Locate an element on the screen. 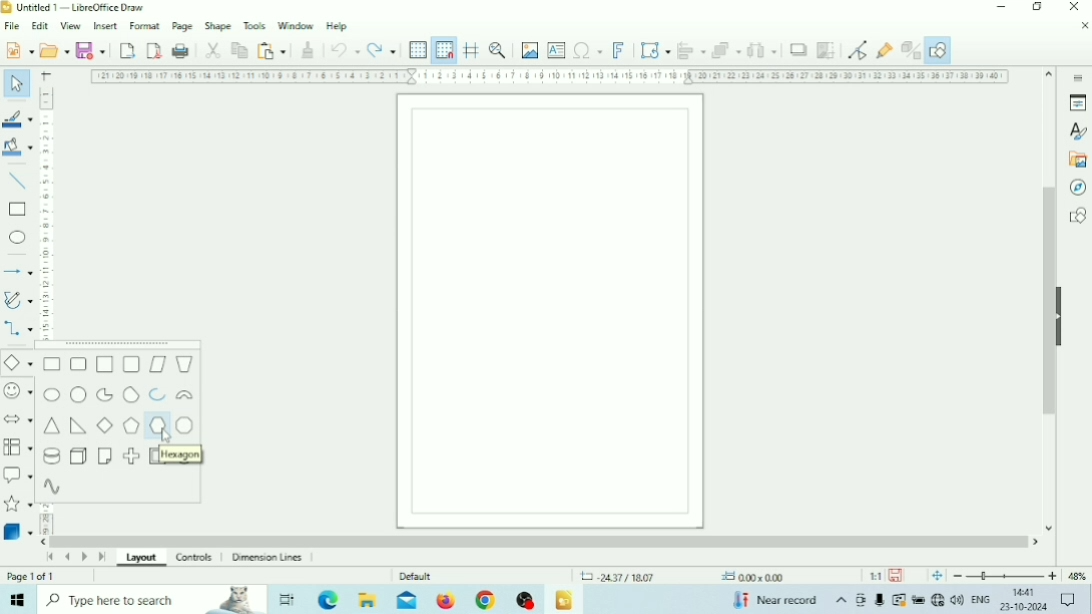 This screenshot has width=1092, height=614. Scroll to first page is located at coordinates (50, 558).